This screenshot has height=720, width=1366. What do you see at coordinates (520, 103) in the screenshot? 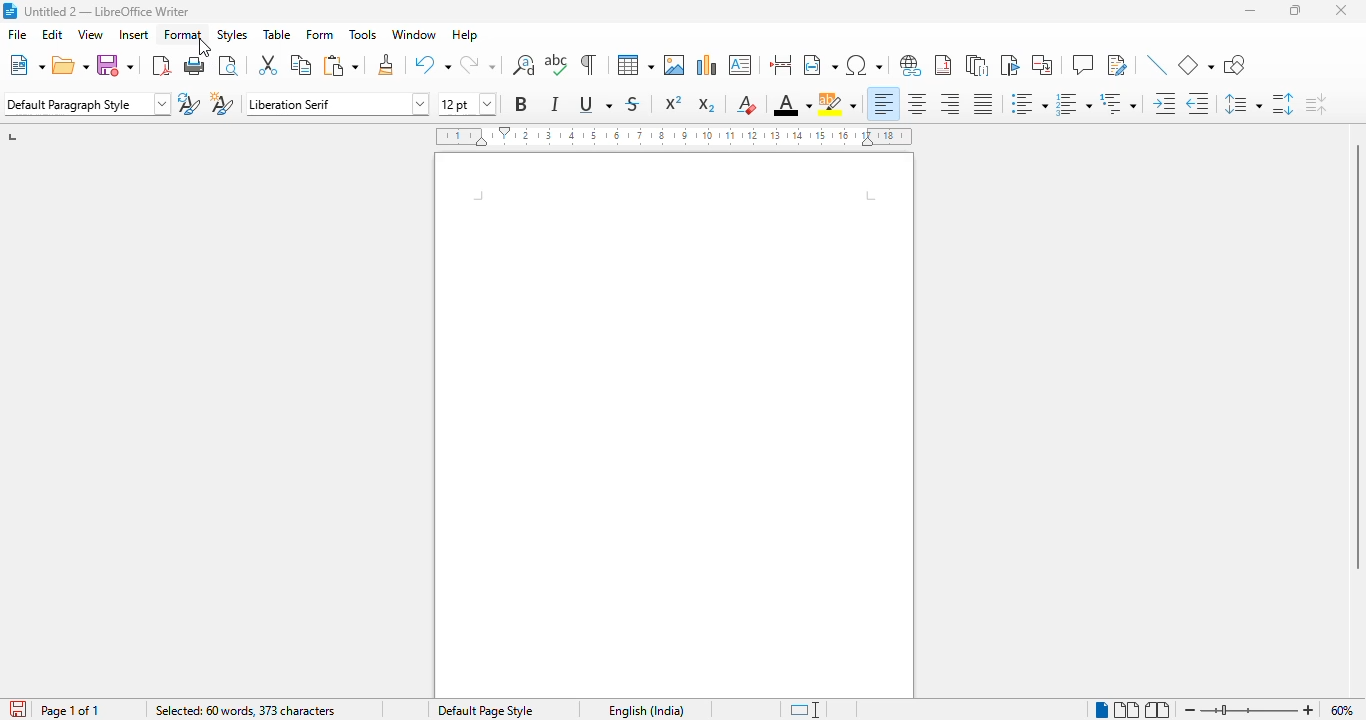
I see `bold` at bounding box center [520, 103].